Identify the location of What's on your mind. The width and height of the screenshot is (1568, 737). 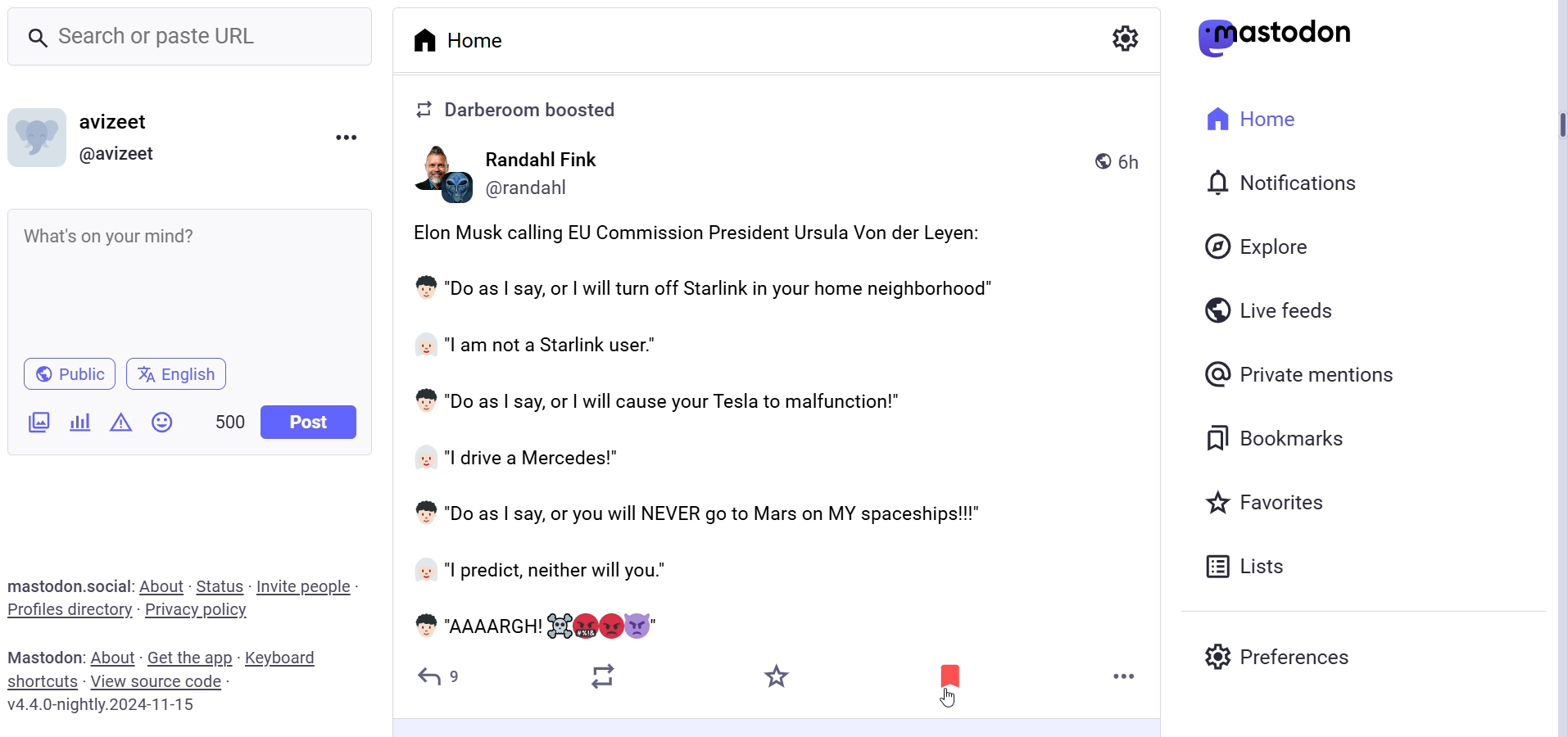
(191, 281).